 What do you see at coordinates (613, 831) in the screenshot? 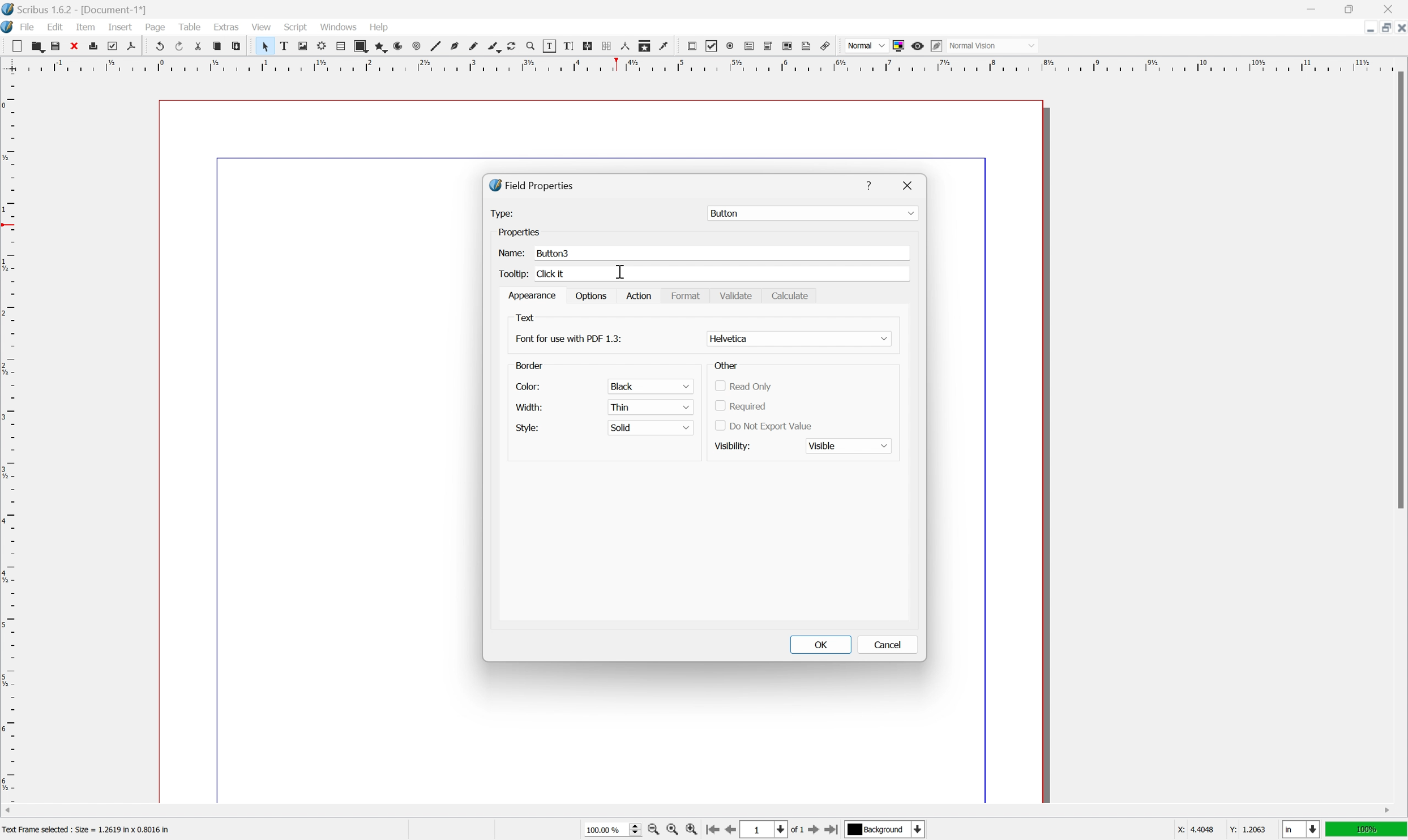
I see `100.00%` at bounding box center [613, 831].